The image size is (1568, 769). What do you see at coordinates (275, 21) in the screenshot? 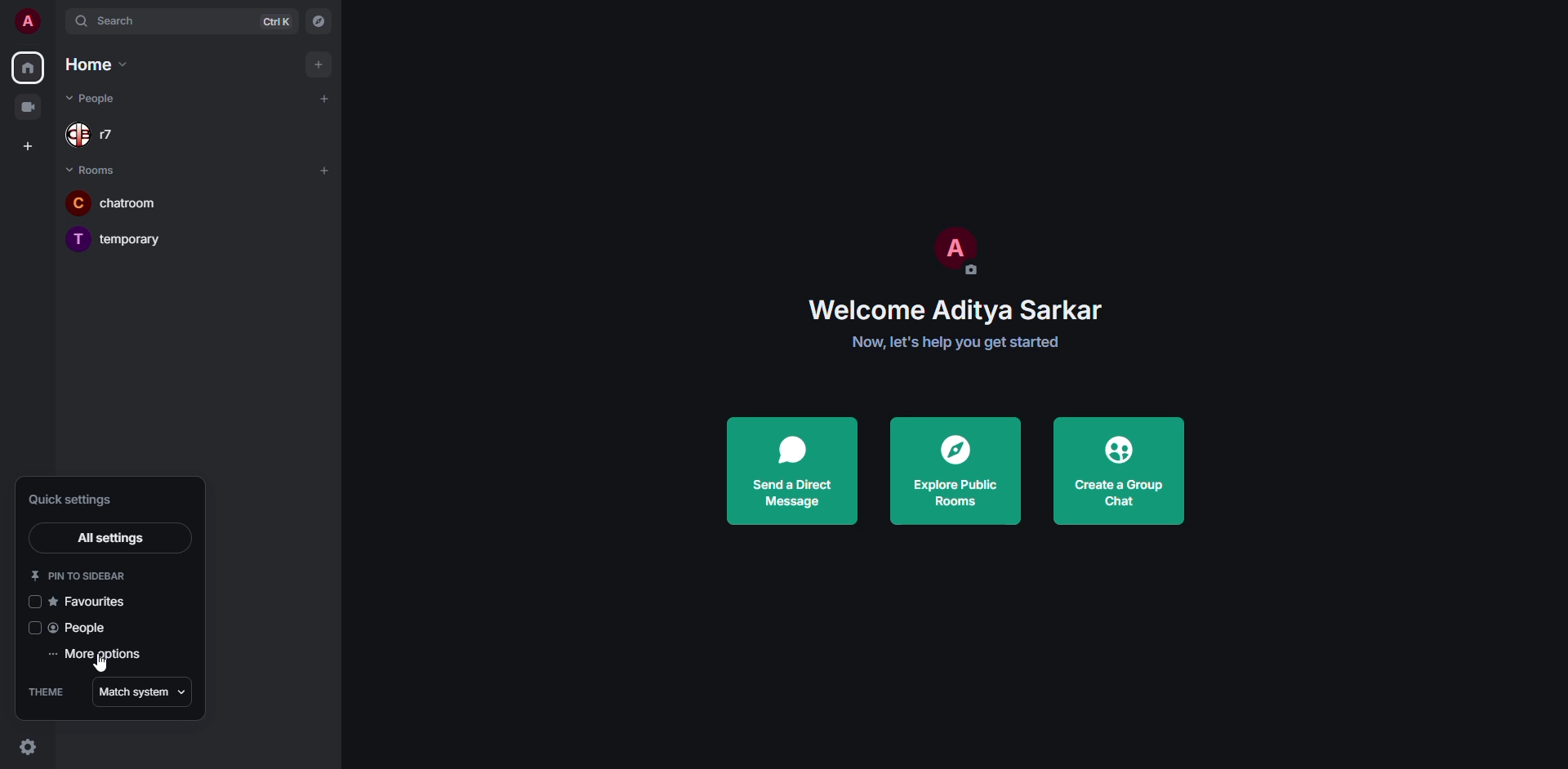
I see `ctrl K` at bounding box center [275, 21].